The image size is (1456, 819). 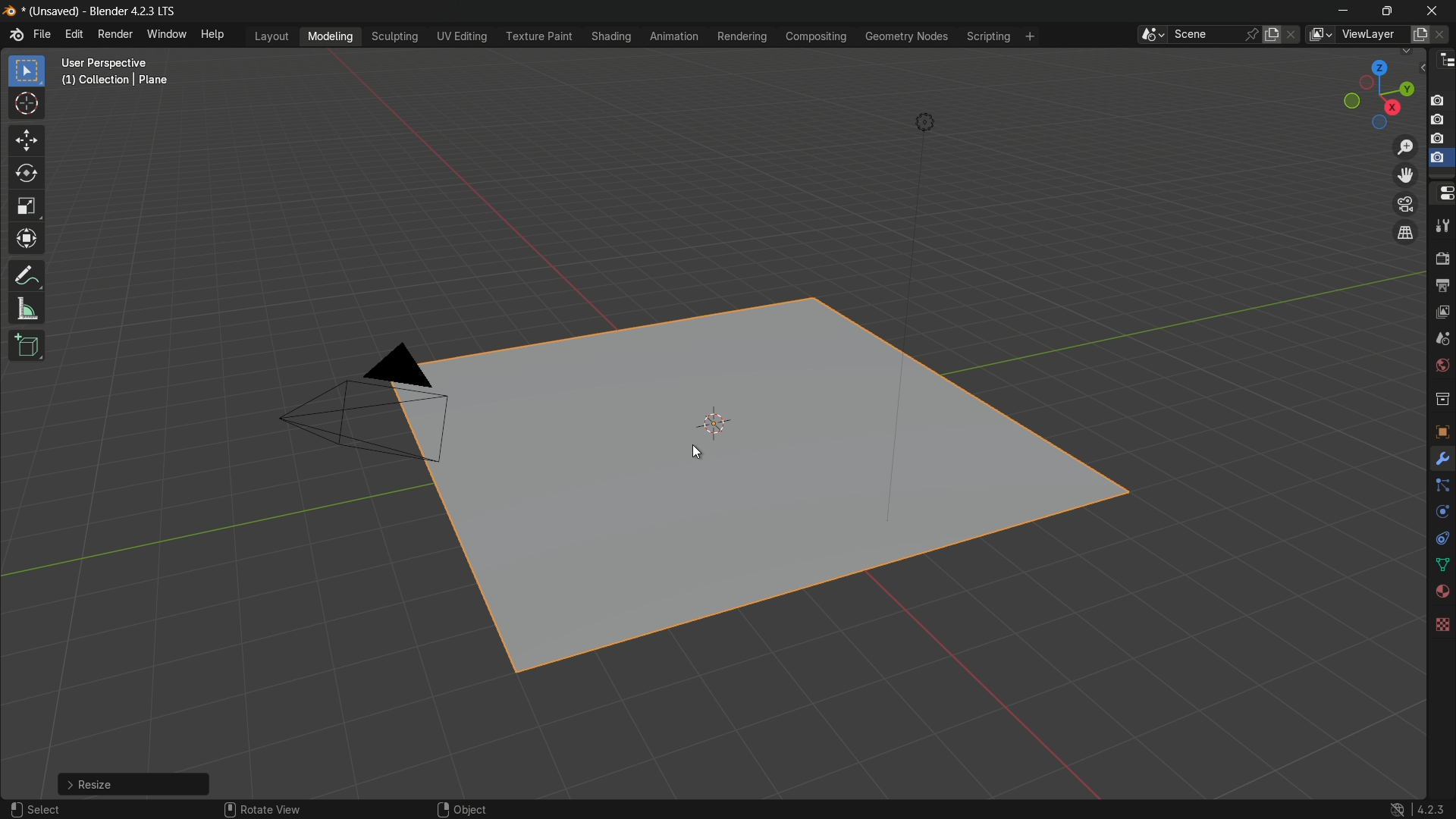 I want to click on new scene, so click(x=1273, y=35).